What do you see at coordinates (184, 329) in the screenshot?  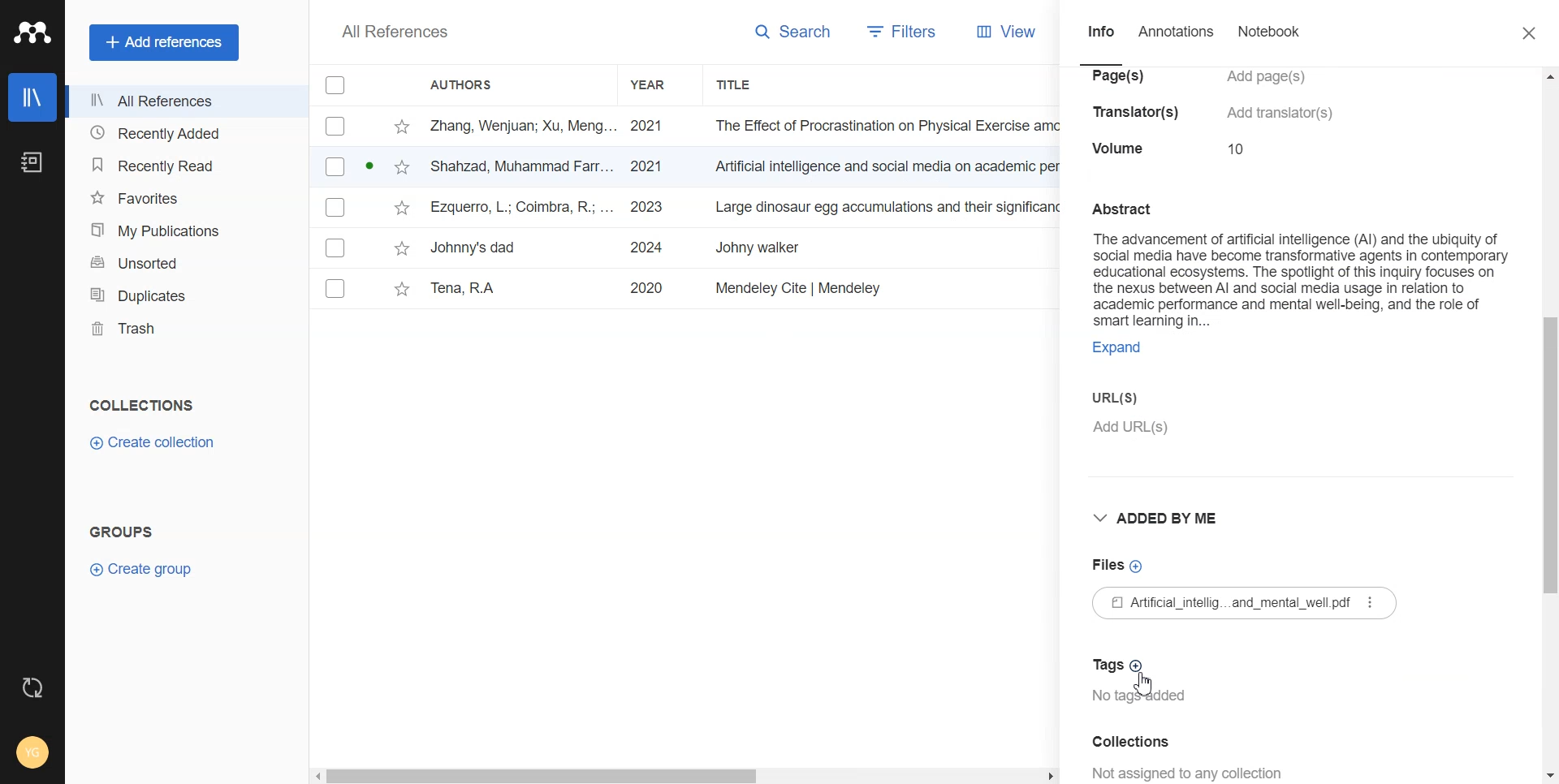 I see `Trash` at bounding box center [184, 329].